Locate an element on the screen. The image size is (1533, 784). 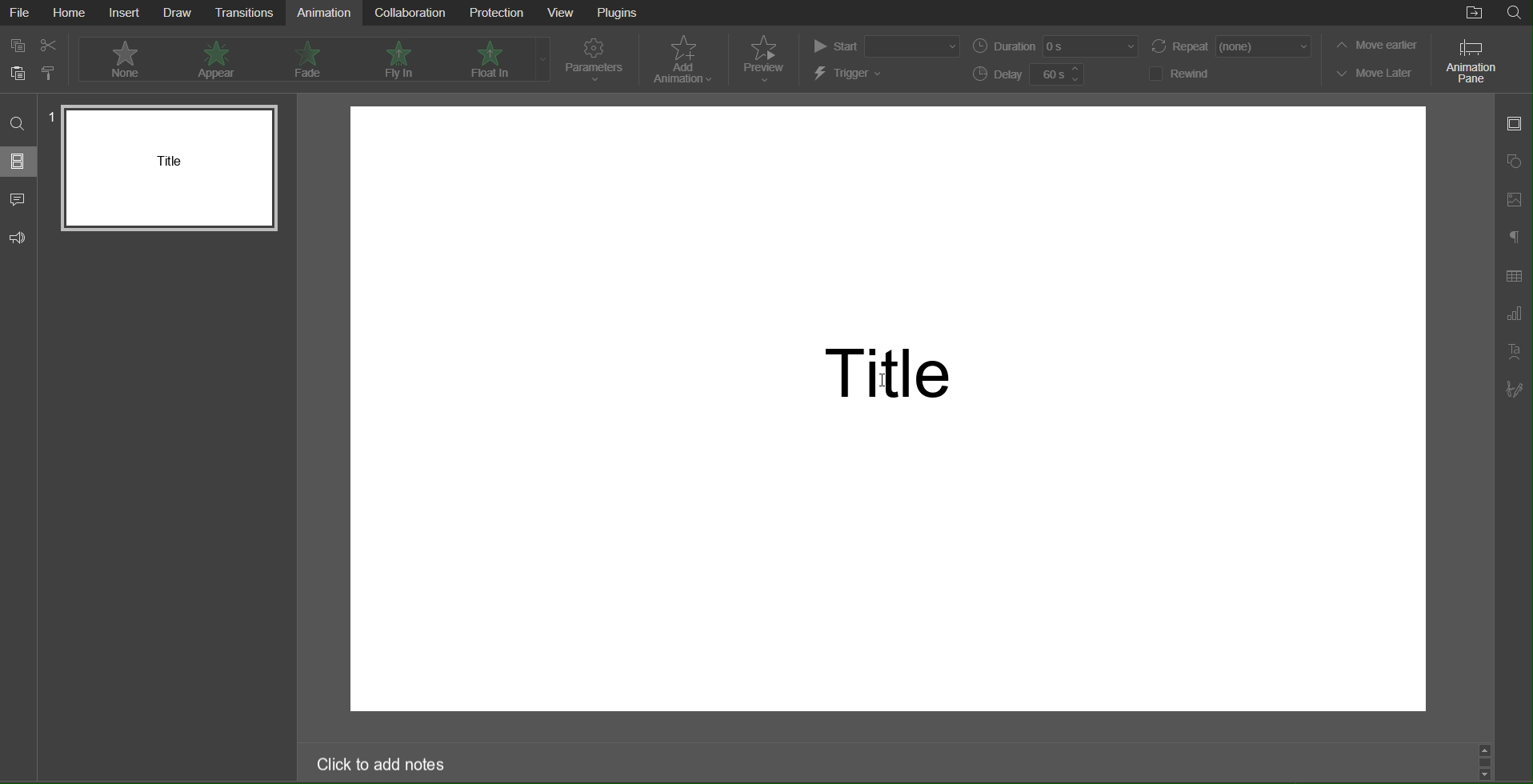
Repeat is located at coordinates (1227, 46).